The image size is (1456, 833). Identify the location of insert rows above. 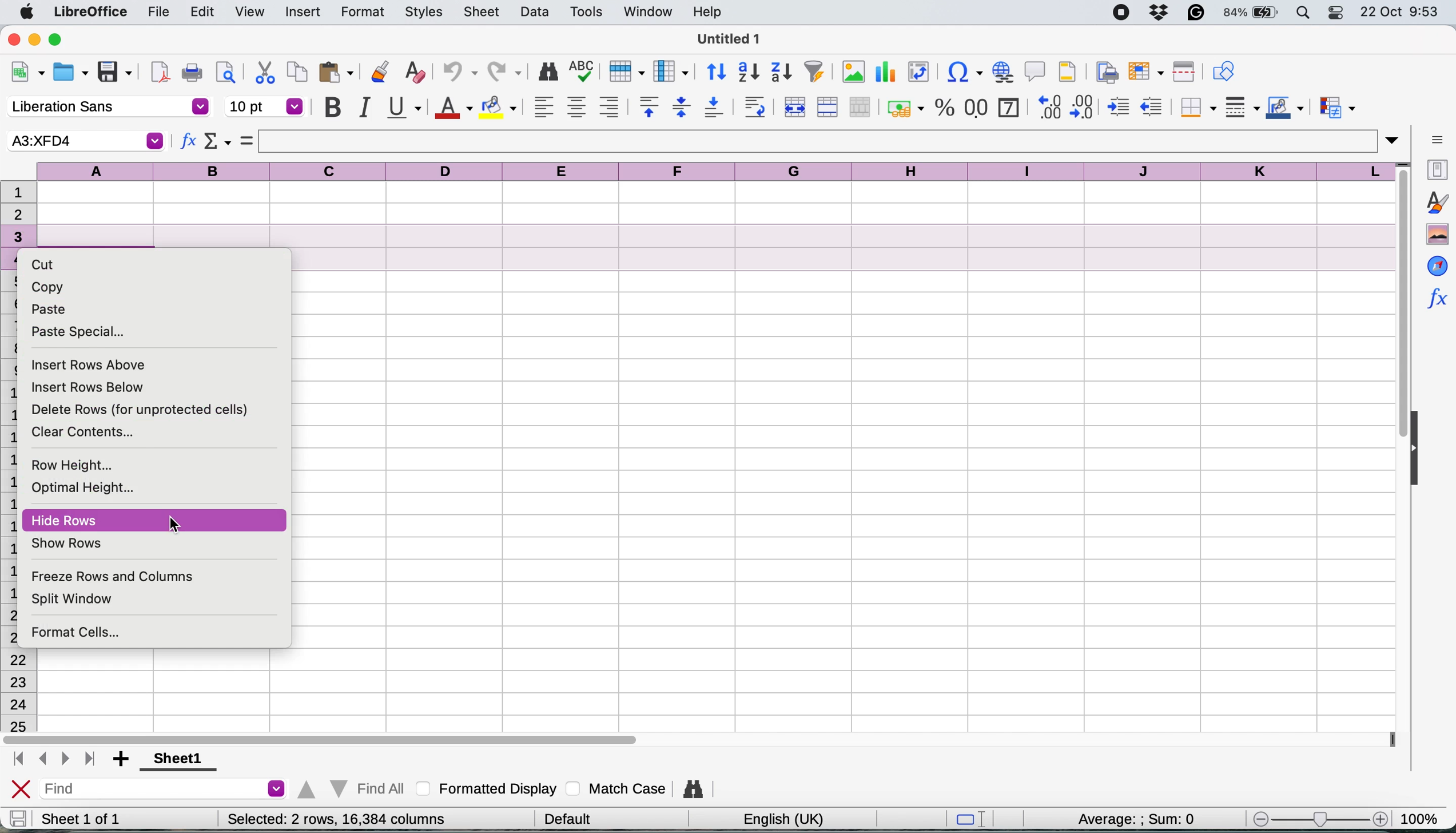
(92, 365).